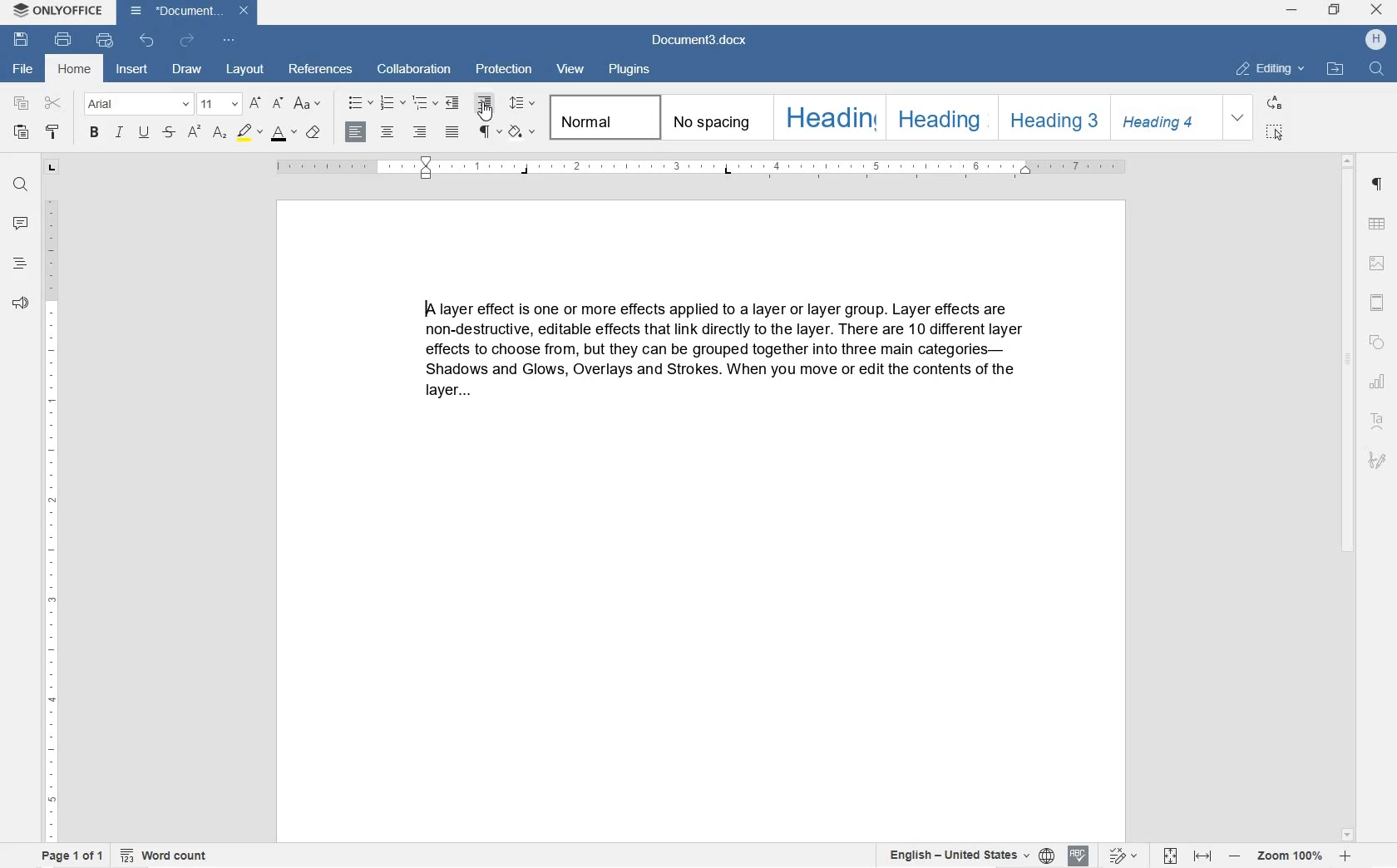 The image size is (1397, 868). Describe the element at coordinates (71, 856) in the screenshot. I see `PAGE 1 OF 1` at that location.